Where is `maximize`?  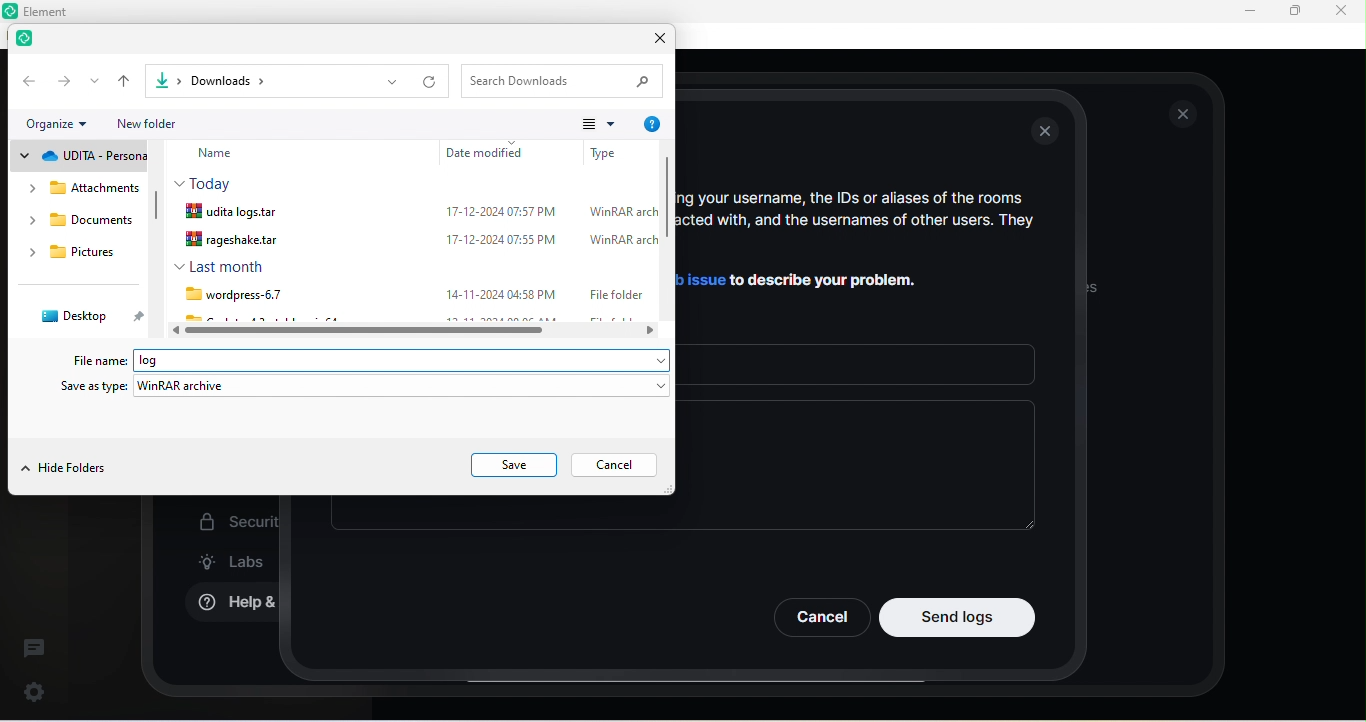 maximize is located at coordinates (1294, 12).